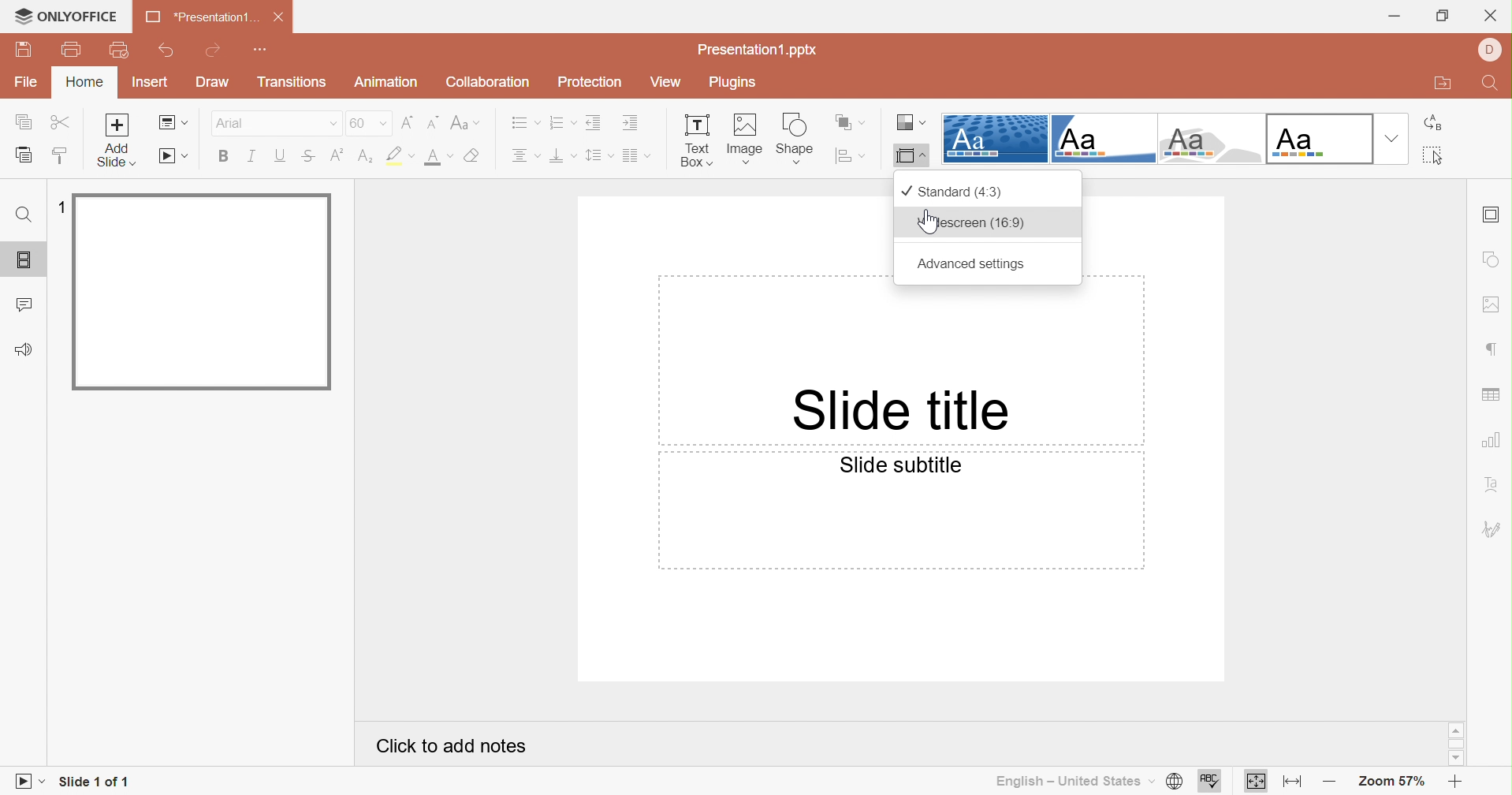 This screenshot has height=795, width=1512. I want to click on Slide settings, so click(1492, 215).